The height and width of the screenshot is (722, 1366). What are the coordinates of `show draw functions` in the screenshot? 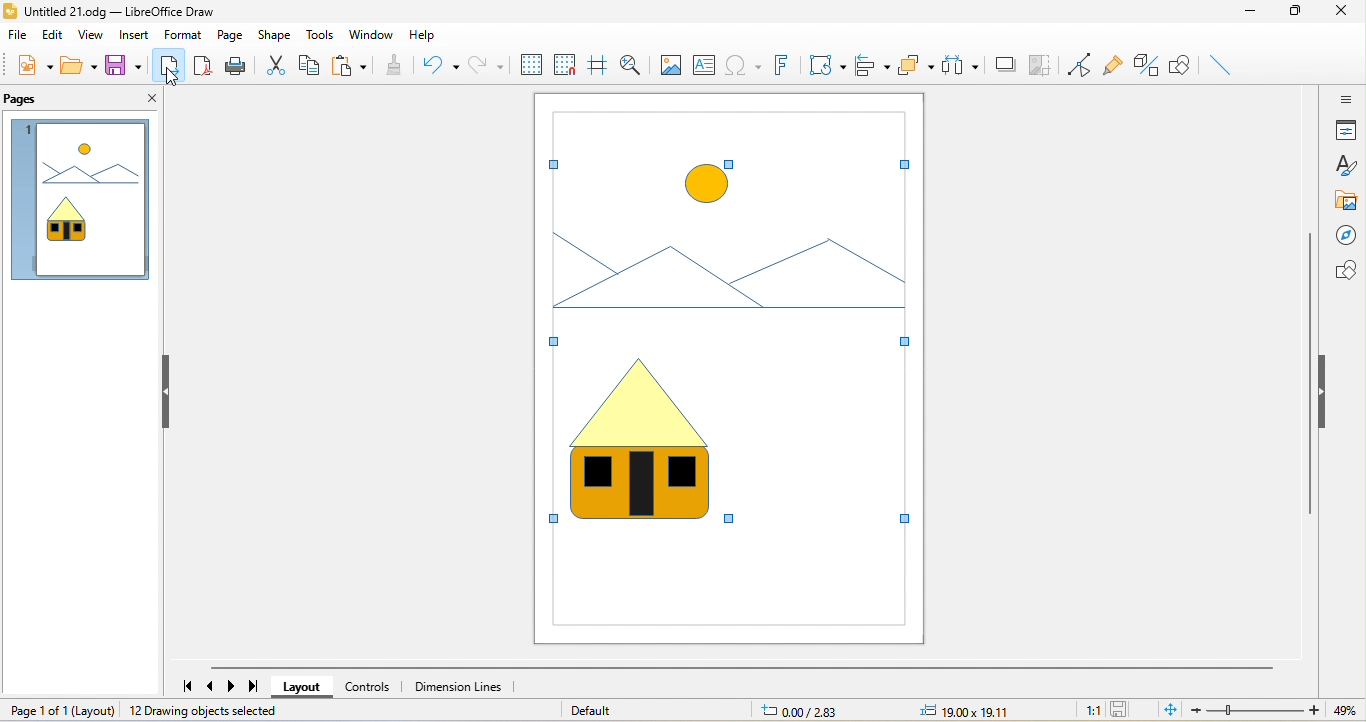 It's located at (1182, 67).